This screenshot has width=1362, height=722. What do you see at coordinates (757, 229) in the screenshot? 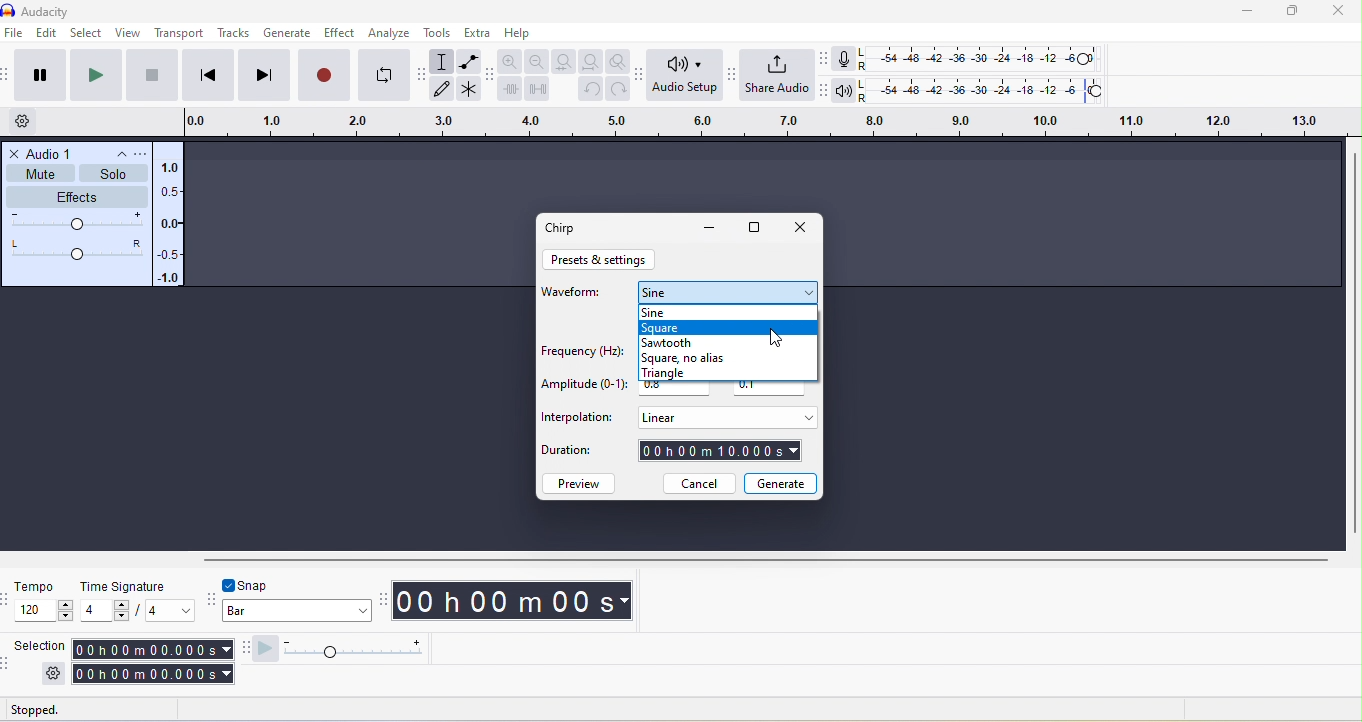
I see `maximize` at bounding box center [757, 229].